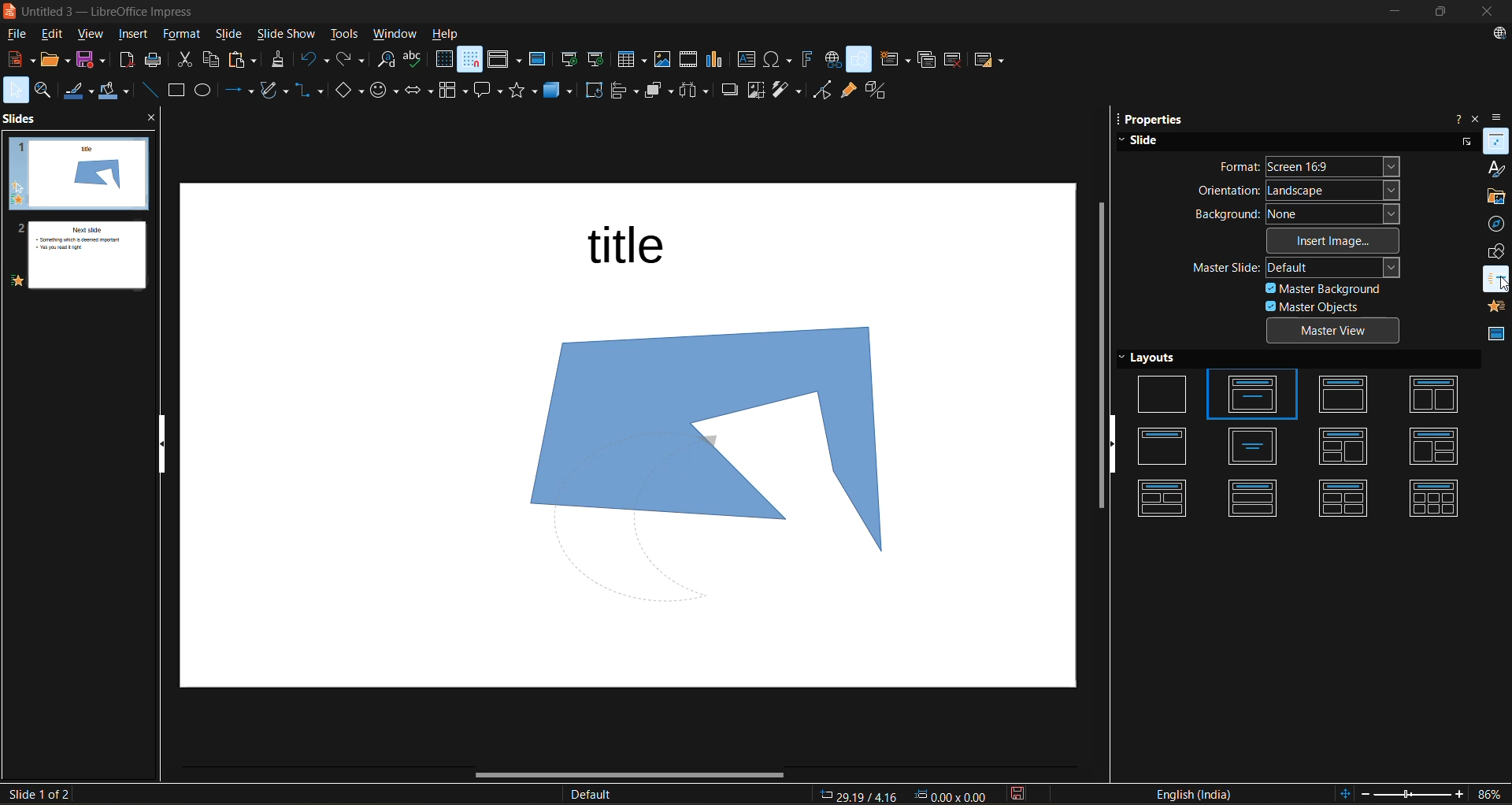 The width and height of the screenshot is (1512, 805). Describe the element at coordinates (128, 64) in the screenshot. I see `export directly as pdf` at that location.